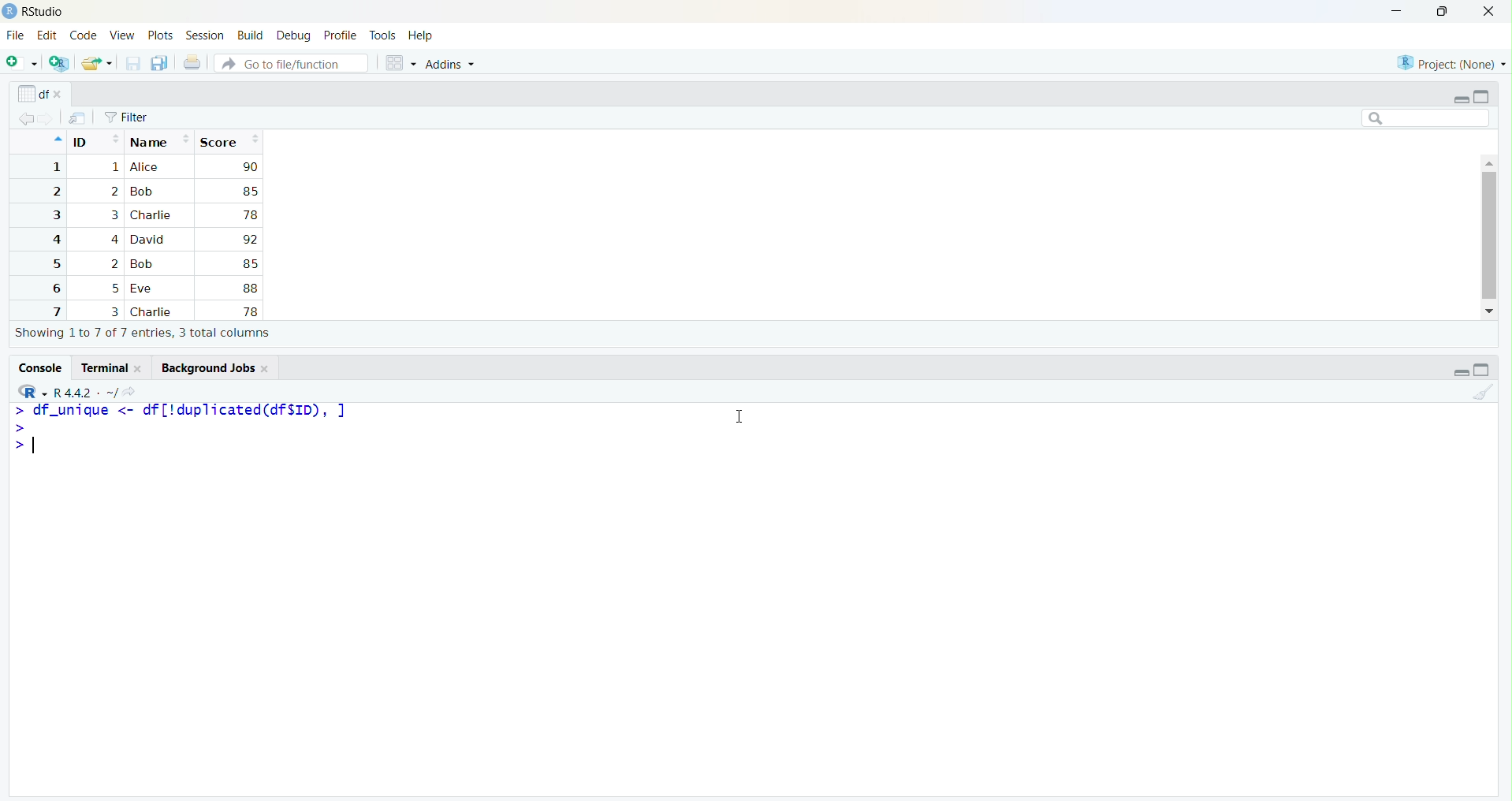 This screenshot has width=1512, height=801. What do you see at coordinates (160, 140) in the screenshot?
I see `Name` at bounding box center [160, 140].